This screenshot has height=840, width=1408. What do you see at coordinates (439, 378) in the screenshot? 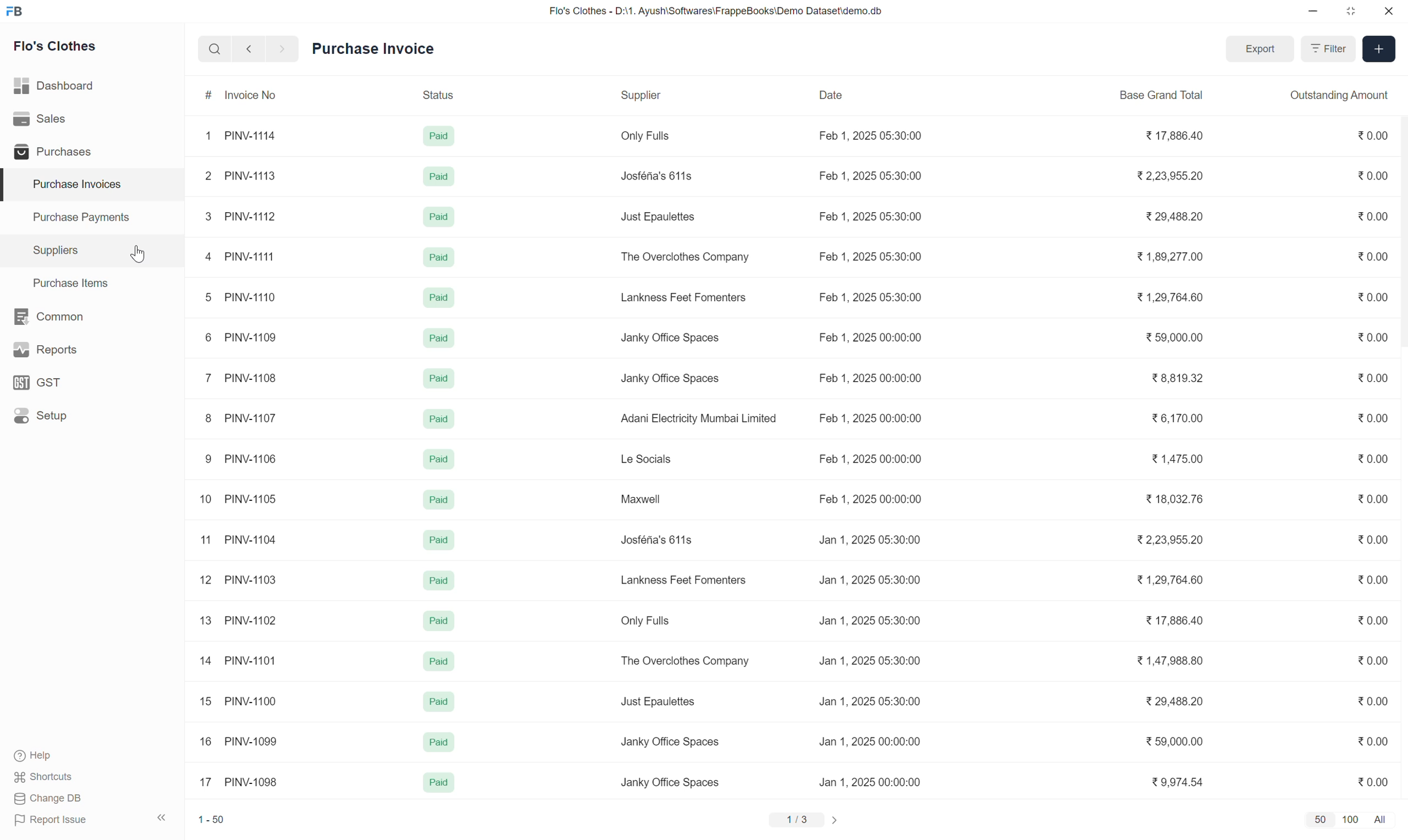
I see `paid` at bounding box center [439, 378].